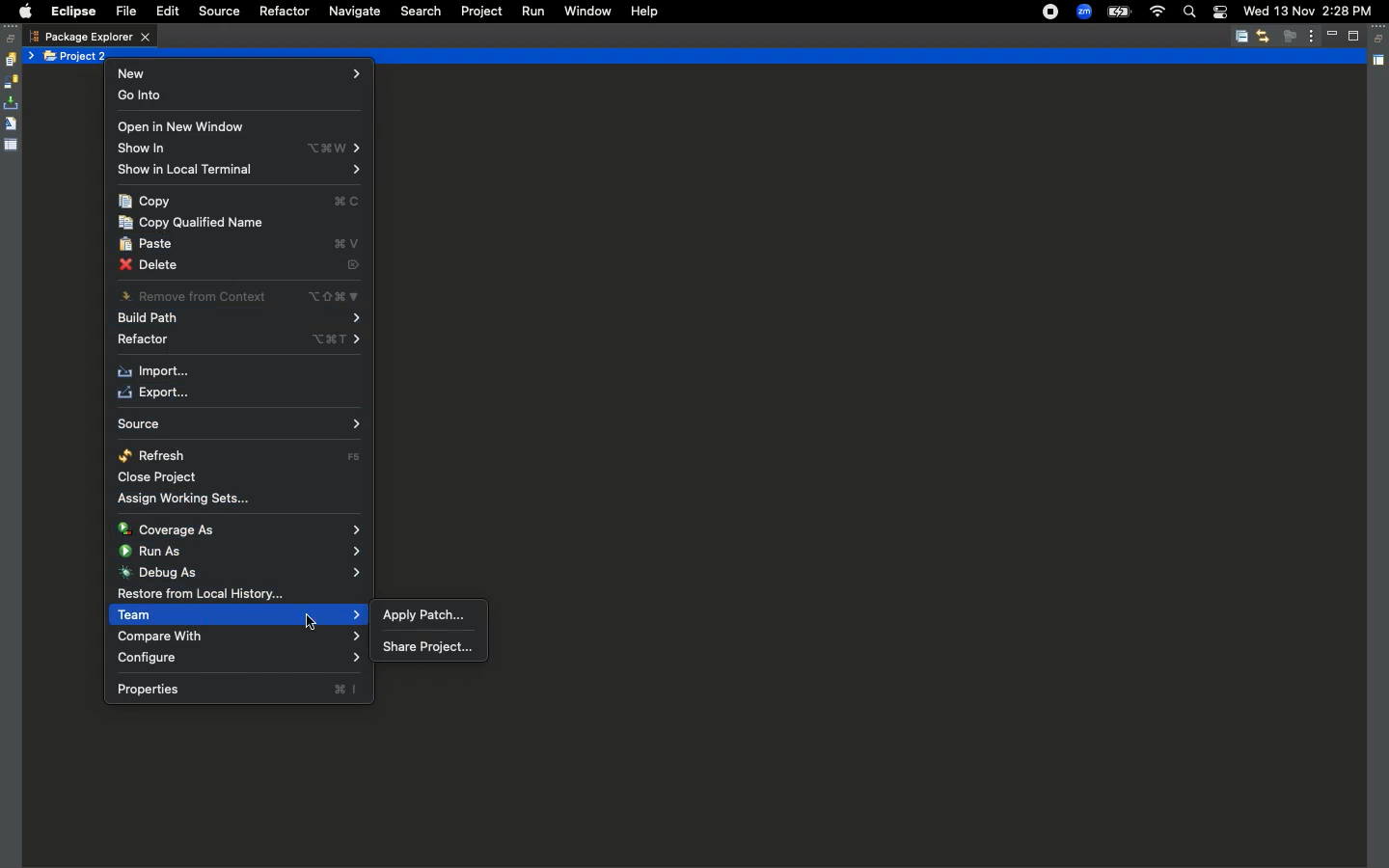  I want to click on Restore from local history, so click(201, 595).